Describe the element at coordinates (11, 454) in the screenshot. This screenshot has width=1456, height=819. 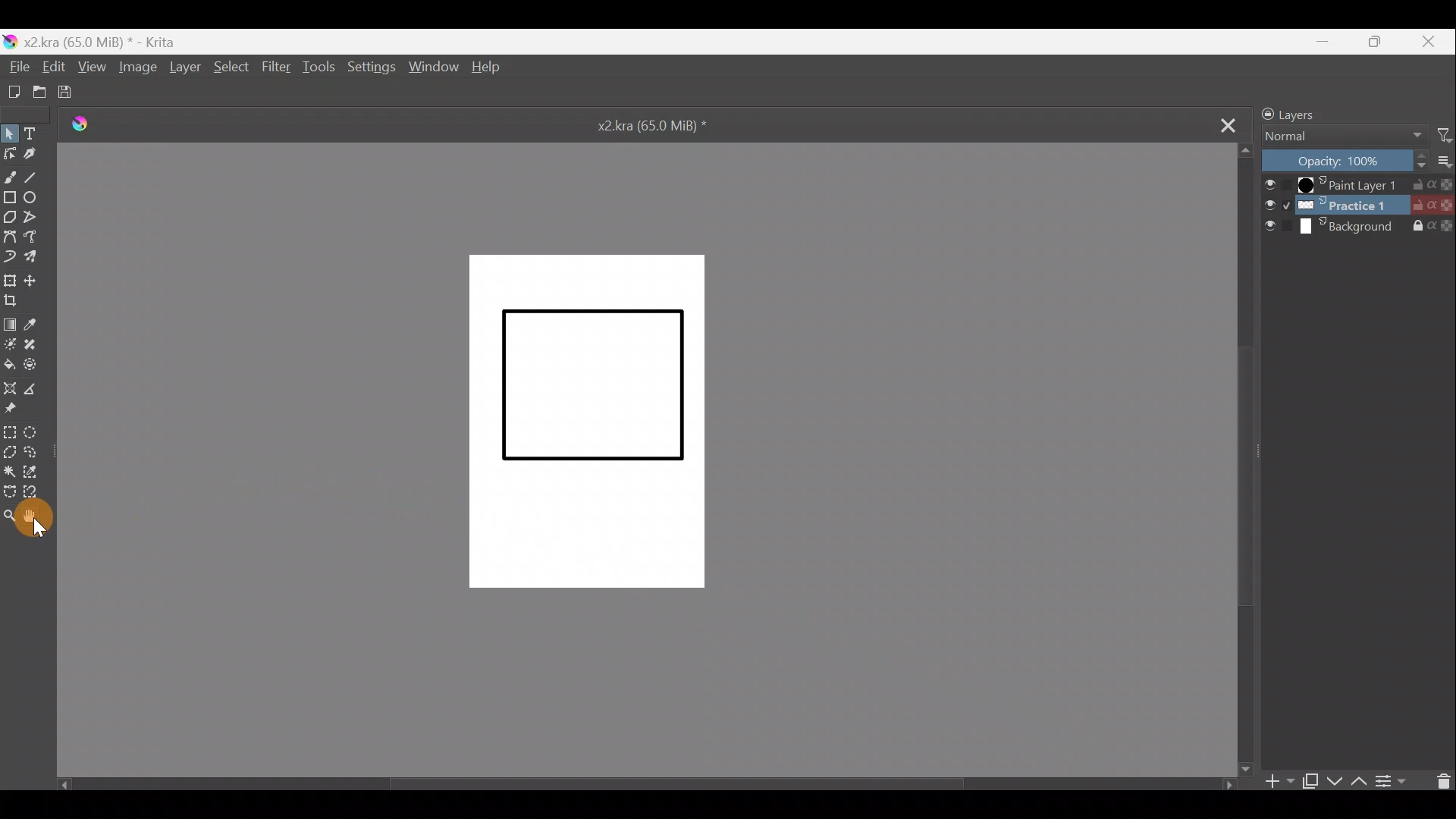
I see `Polygonal selection tool` at that location.